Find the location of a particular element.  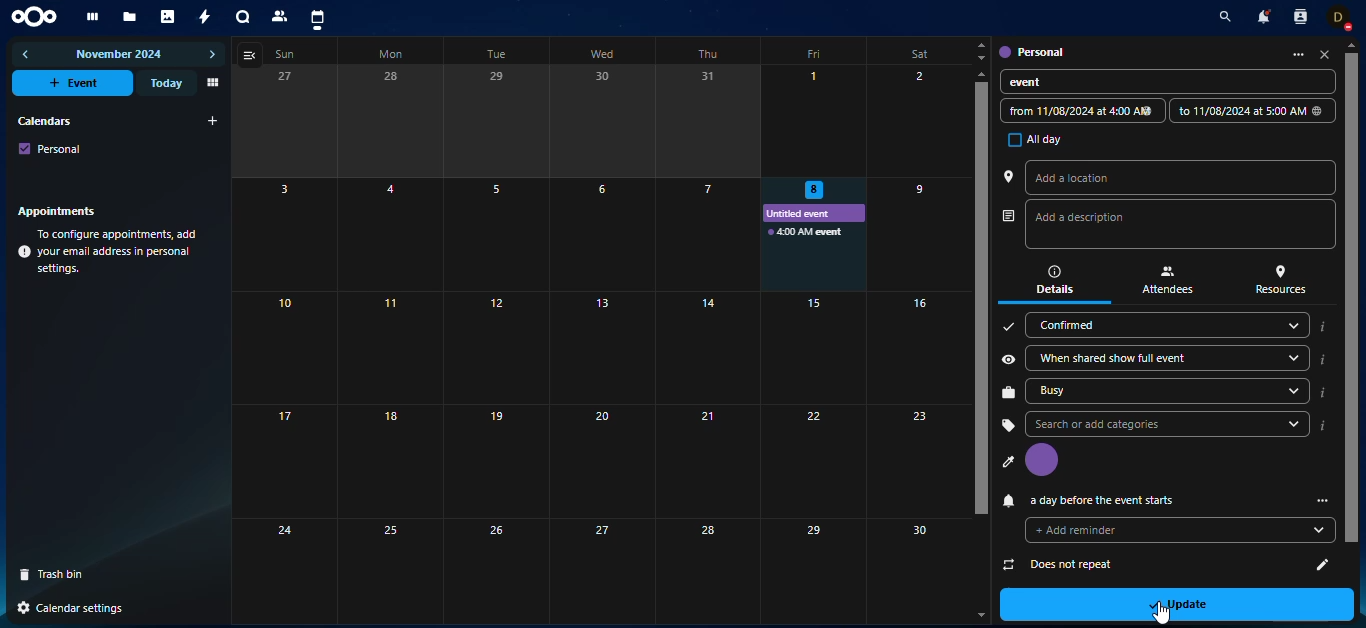

30 is located at coordinates (605, 122).